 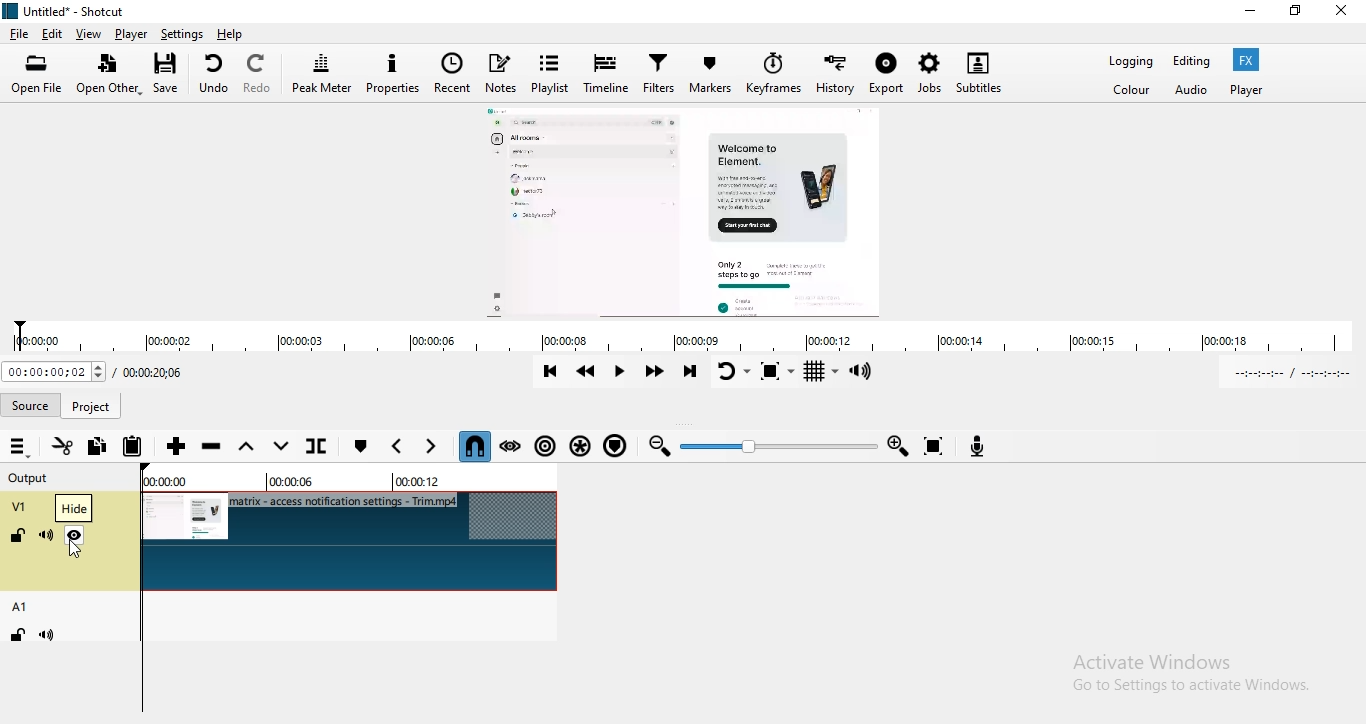 I want to click on Logging, so click(x=1128, y=62).